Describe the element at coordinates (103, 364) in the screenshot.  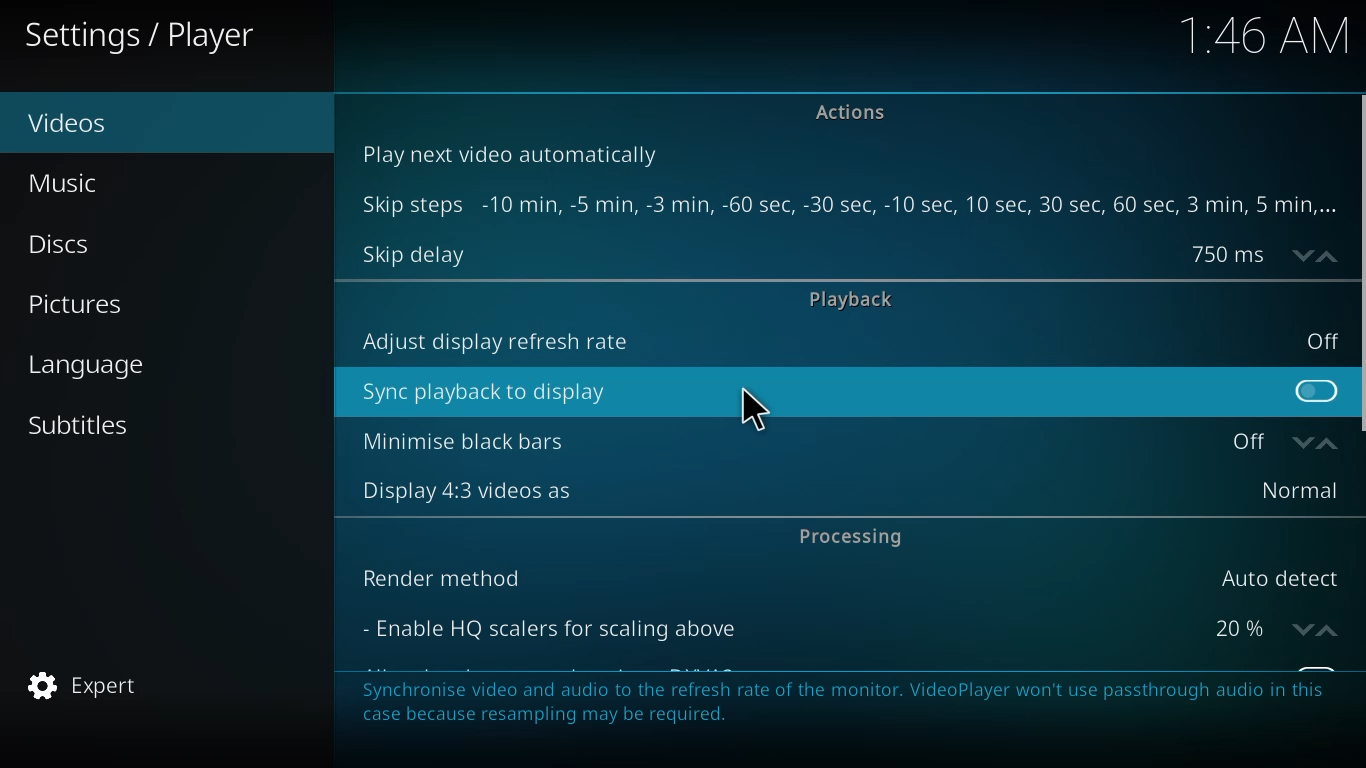
I see `language` at that location.